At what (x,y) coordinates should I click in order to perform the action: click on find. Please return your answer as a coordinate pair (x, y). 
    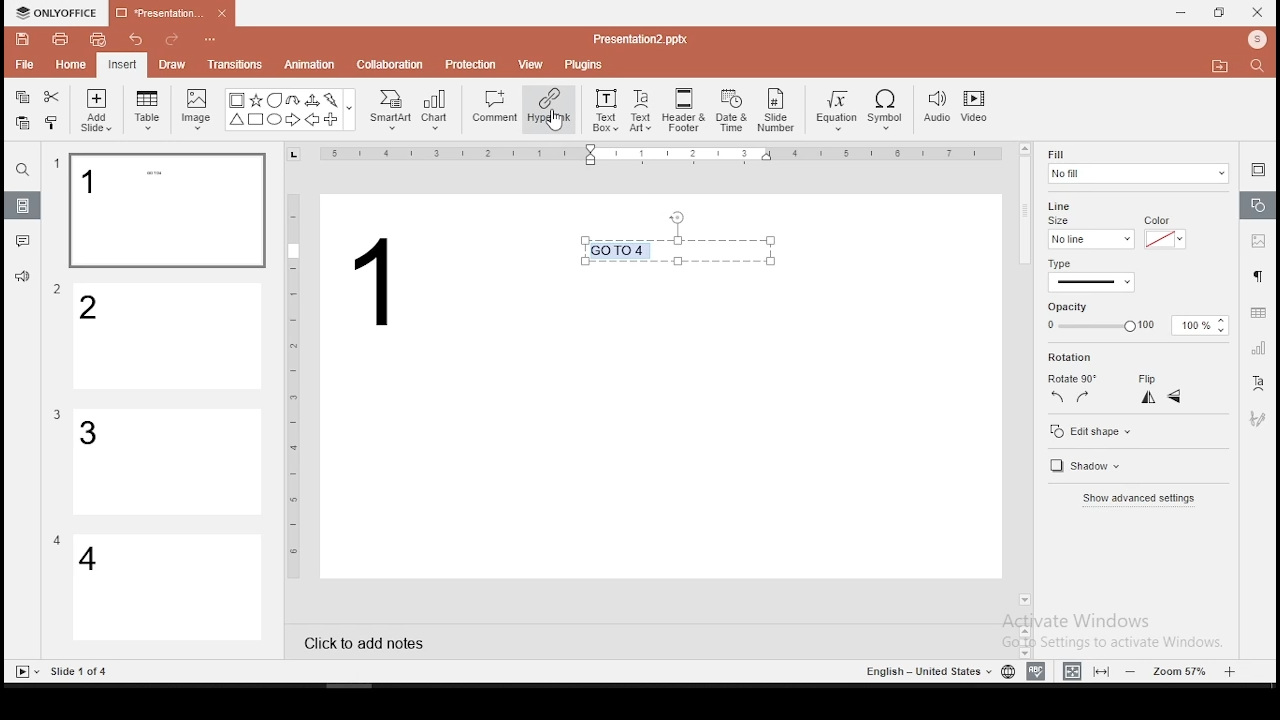
    Looking at the image, I should click on (22, 170).